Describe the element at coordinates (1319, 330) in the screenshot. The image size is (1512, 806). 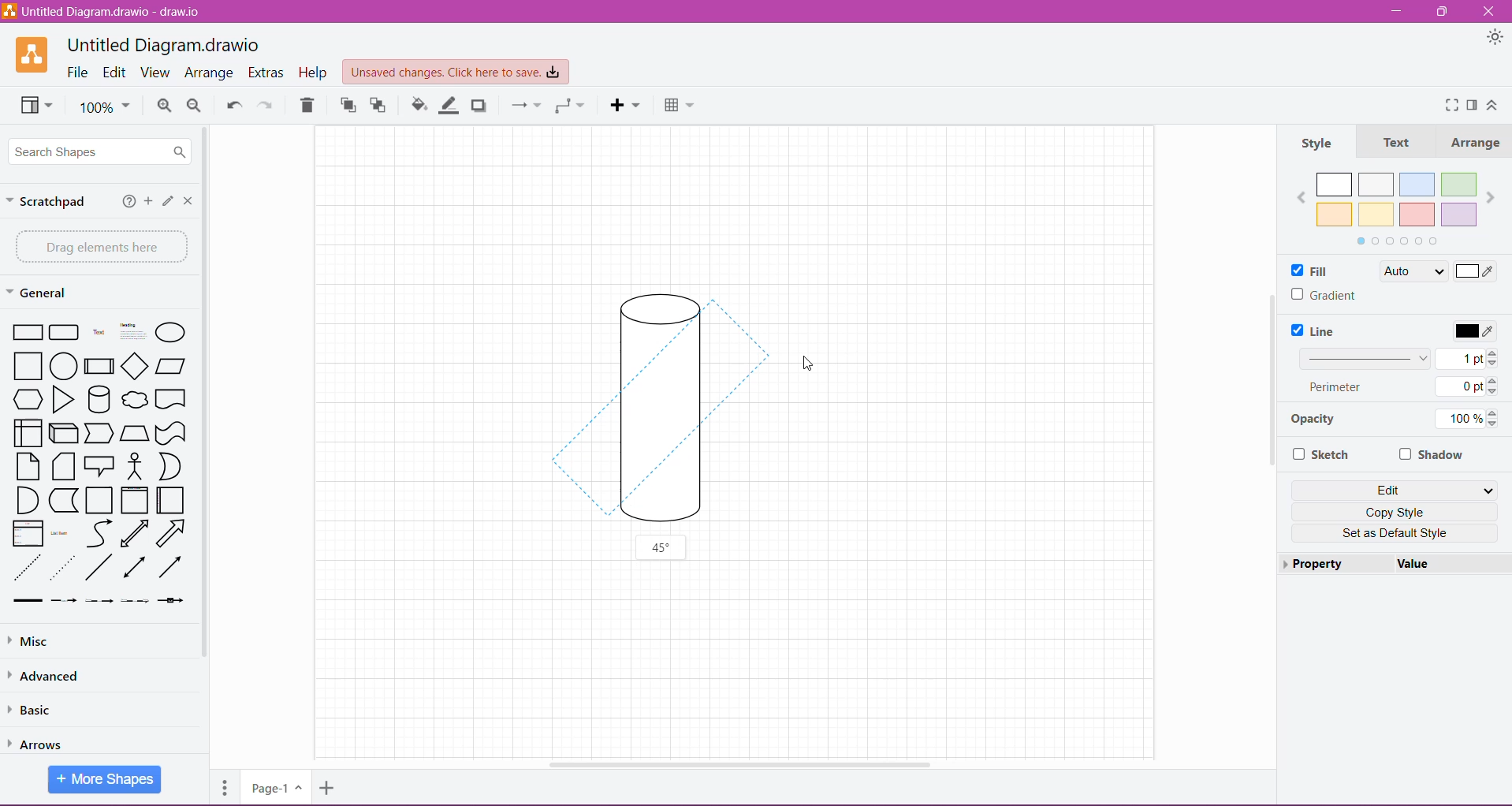
I see `Line - click to enable/disable` at that location.